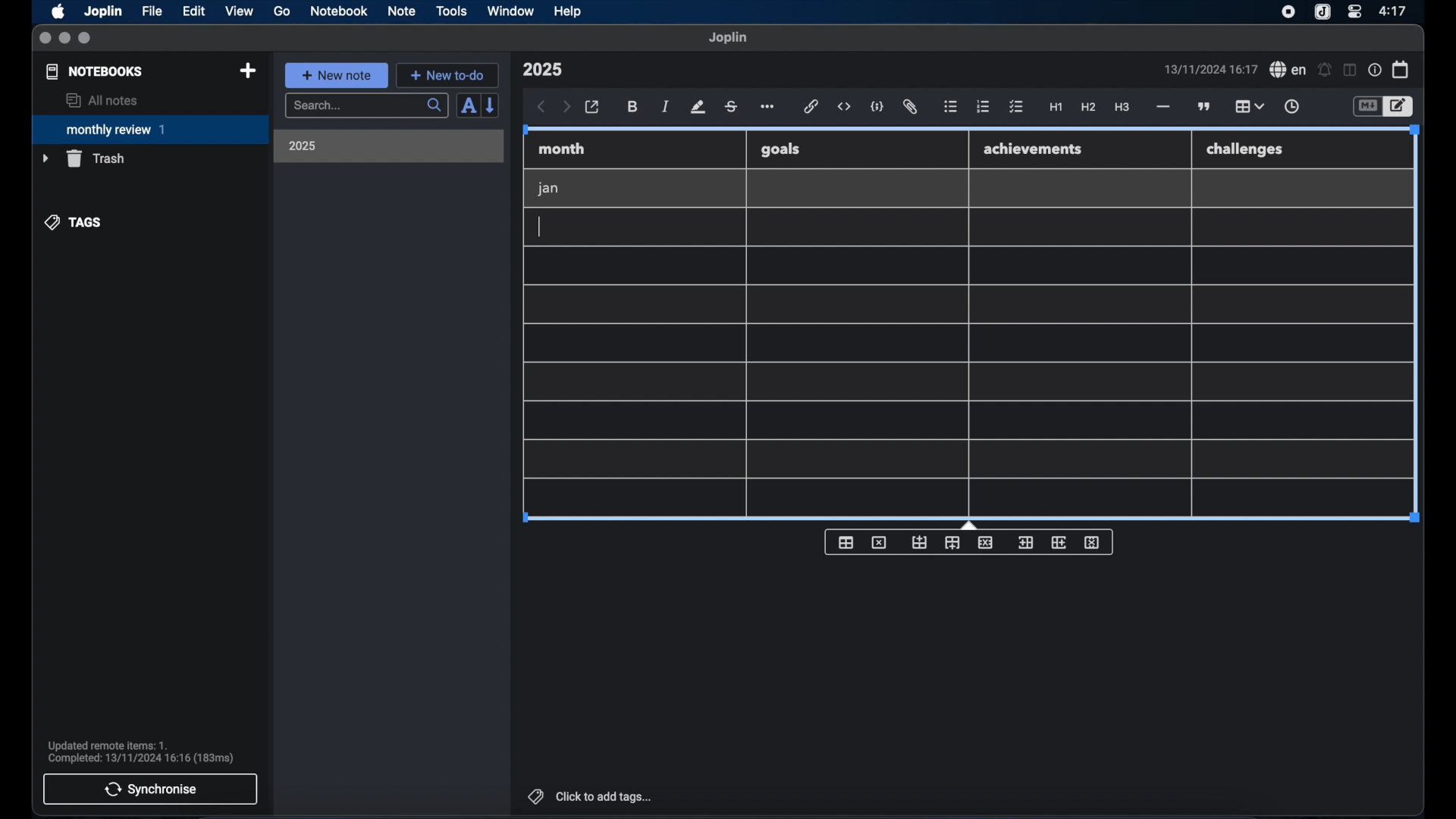 The width and height of the screenshot is (1456, 819). What do you see at coordinates (150, 128) in the screenshot?
I see `monthly review` at bounding box center [150, 128].